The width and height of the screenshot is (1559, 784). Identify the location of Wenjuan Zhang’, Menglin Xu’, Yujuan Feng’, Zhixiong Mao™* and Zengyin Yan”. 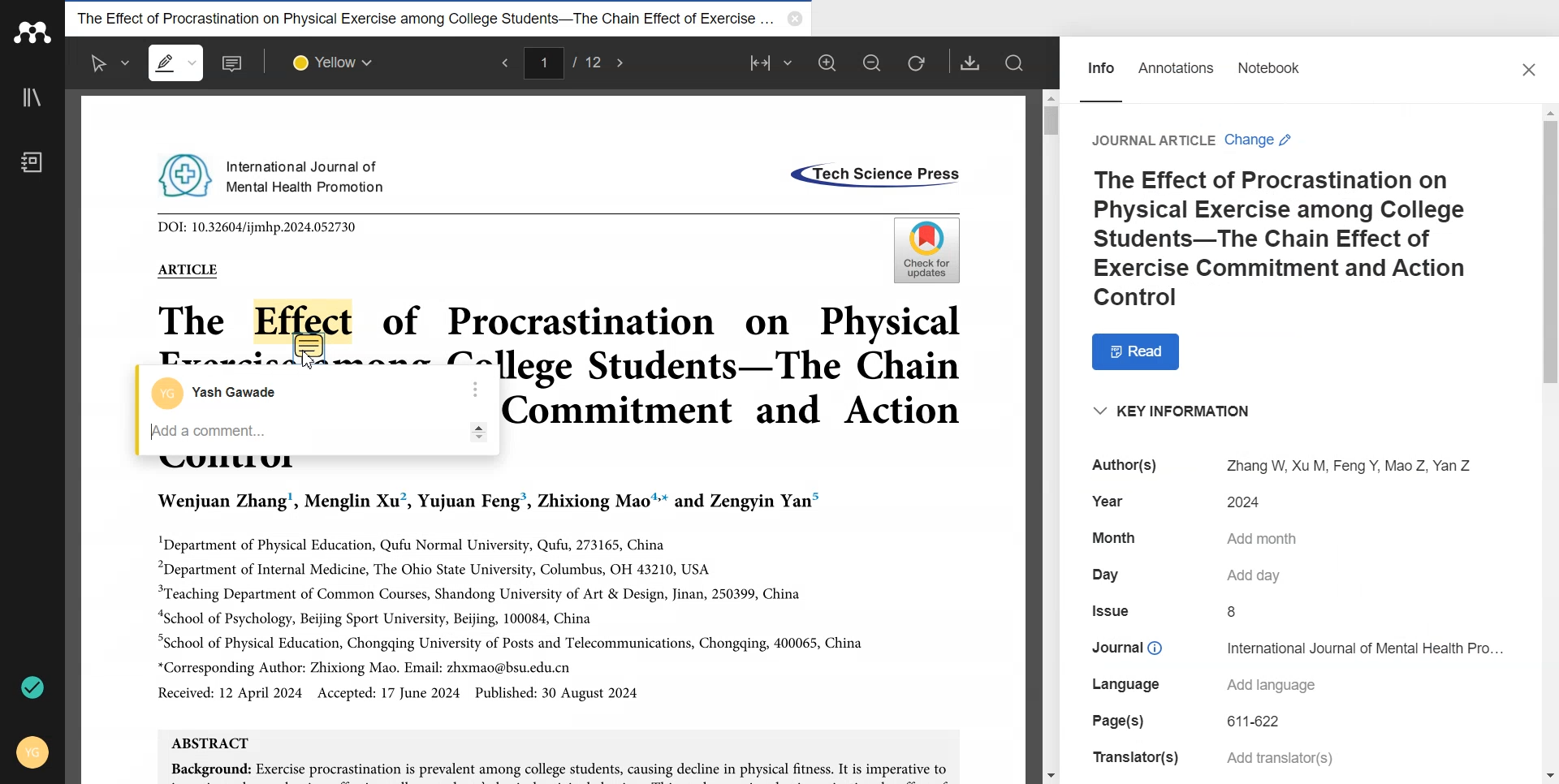
(489, 502).